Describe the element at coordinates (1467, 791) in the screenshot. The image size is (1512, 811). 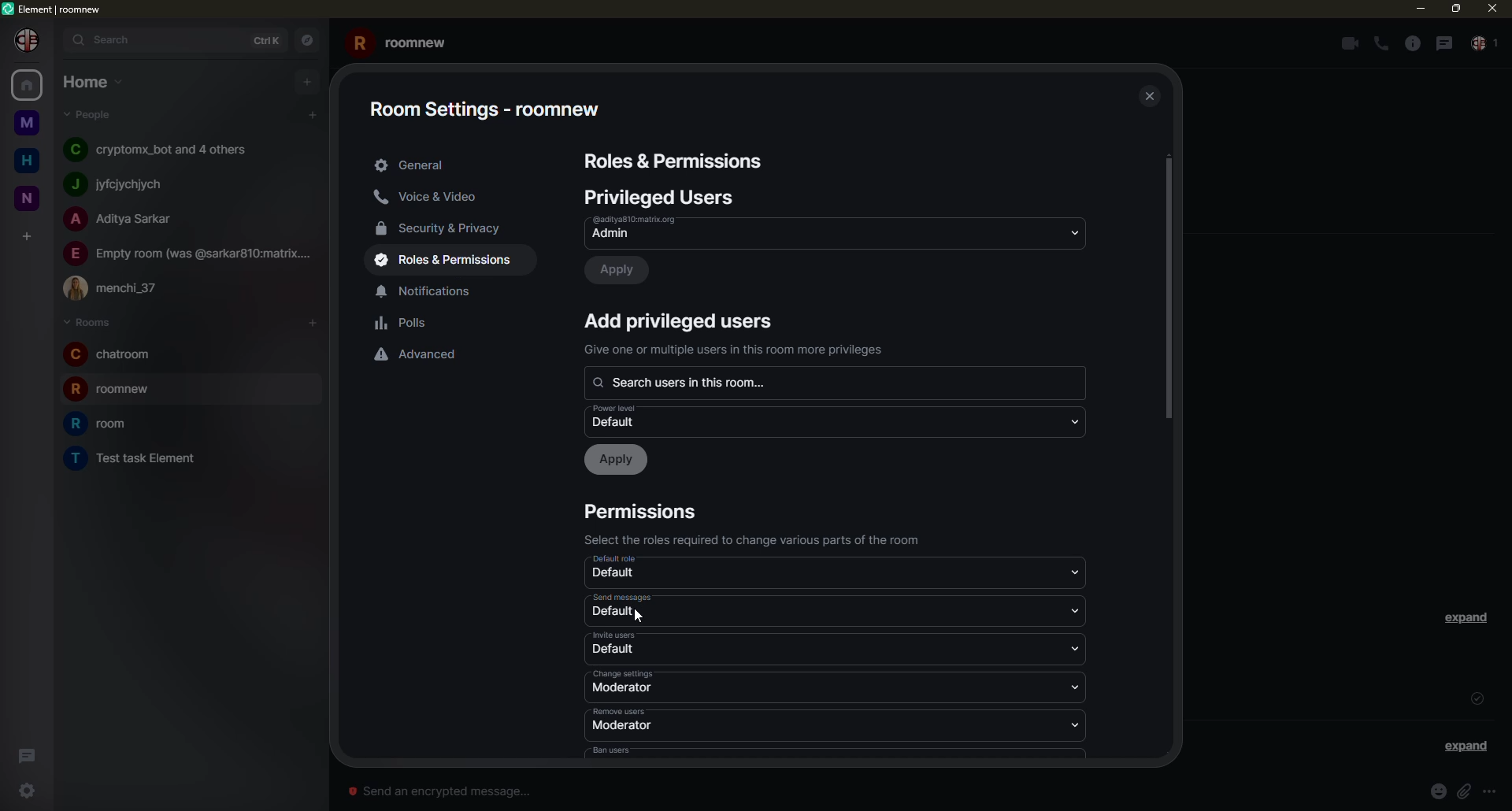
I see `attach` at that location.